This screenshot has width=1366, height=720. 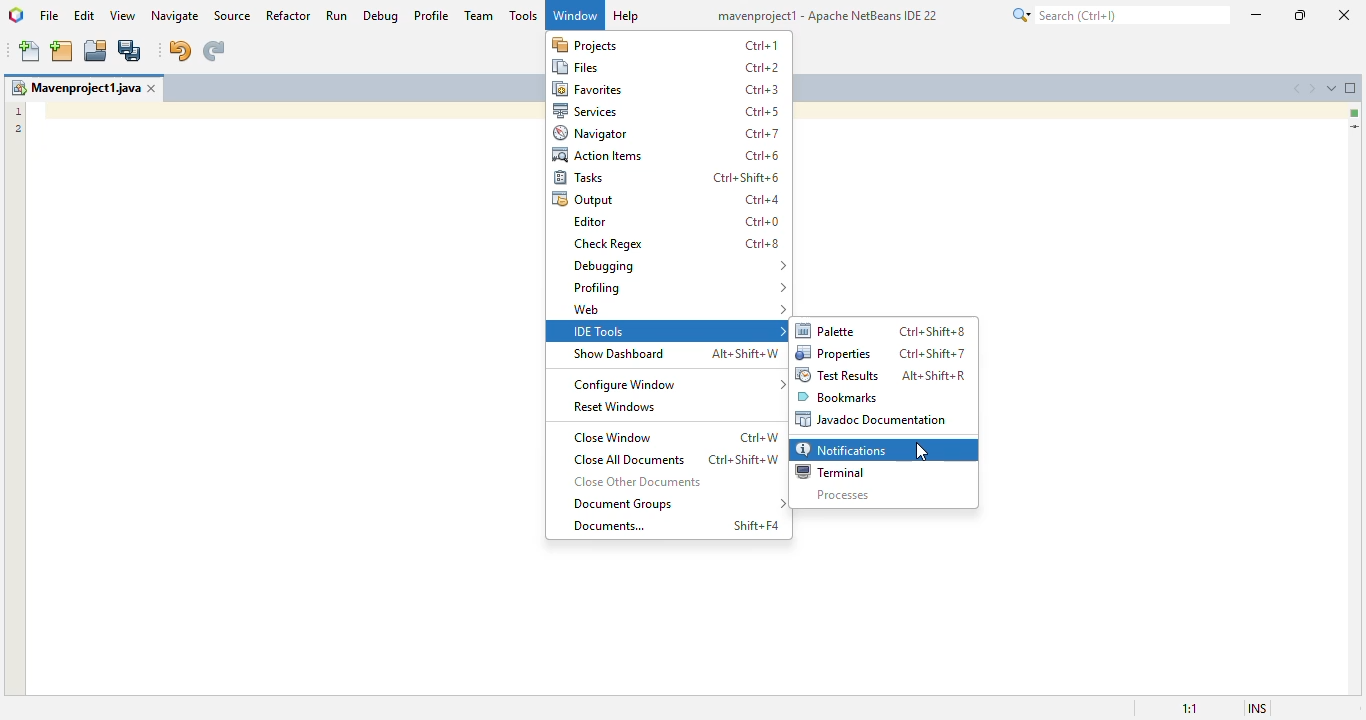 I want to click on close window, so click(x=614, y=438).